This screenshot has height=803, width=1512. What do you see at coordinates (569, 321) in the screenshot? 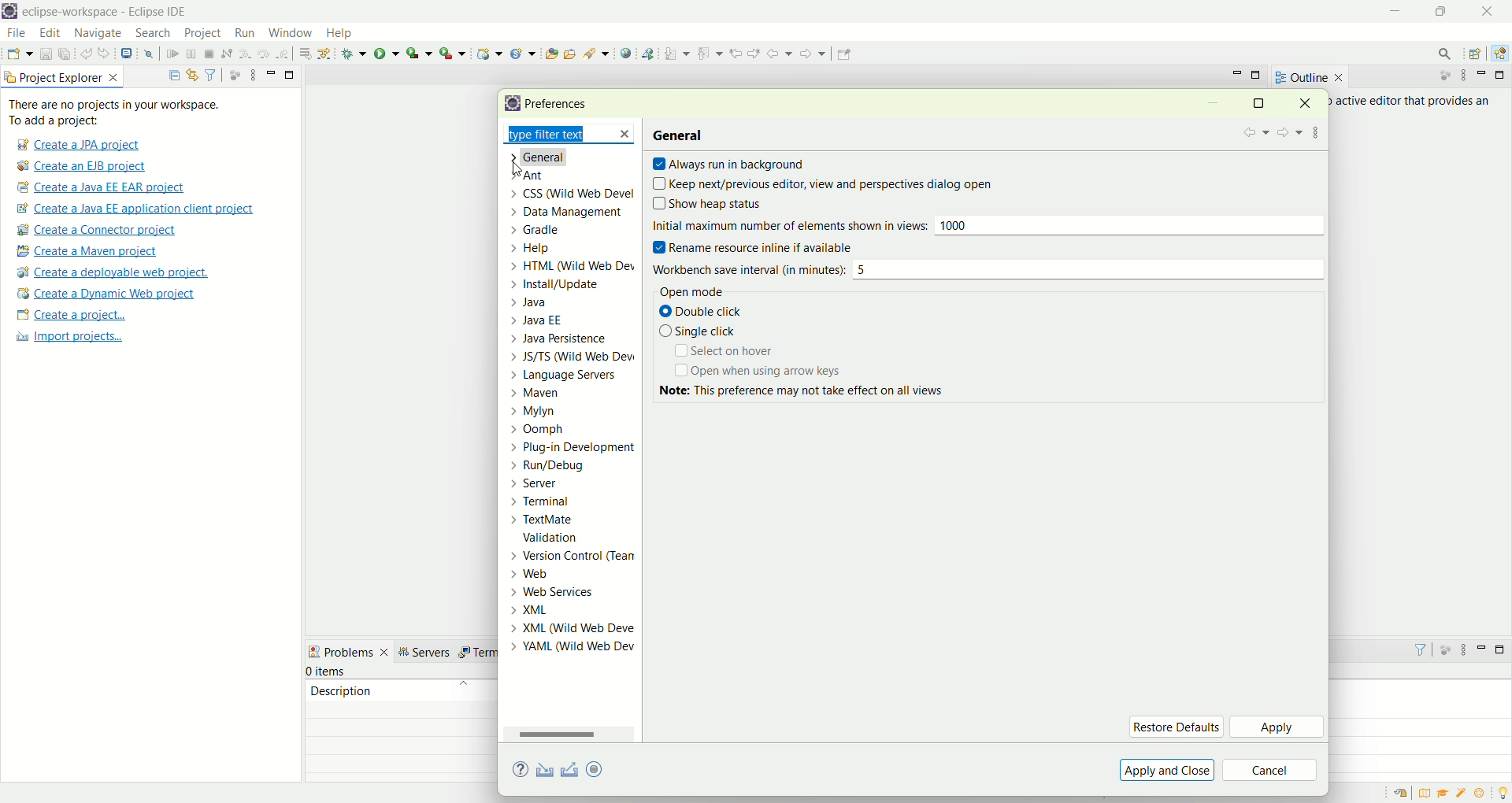
I see `Java EE` at bounding box center [569, 321].